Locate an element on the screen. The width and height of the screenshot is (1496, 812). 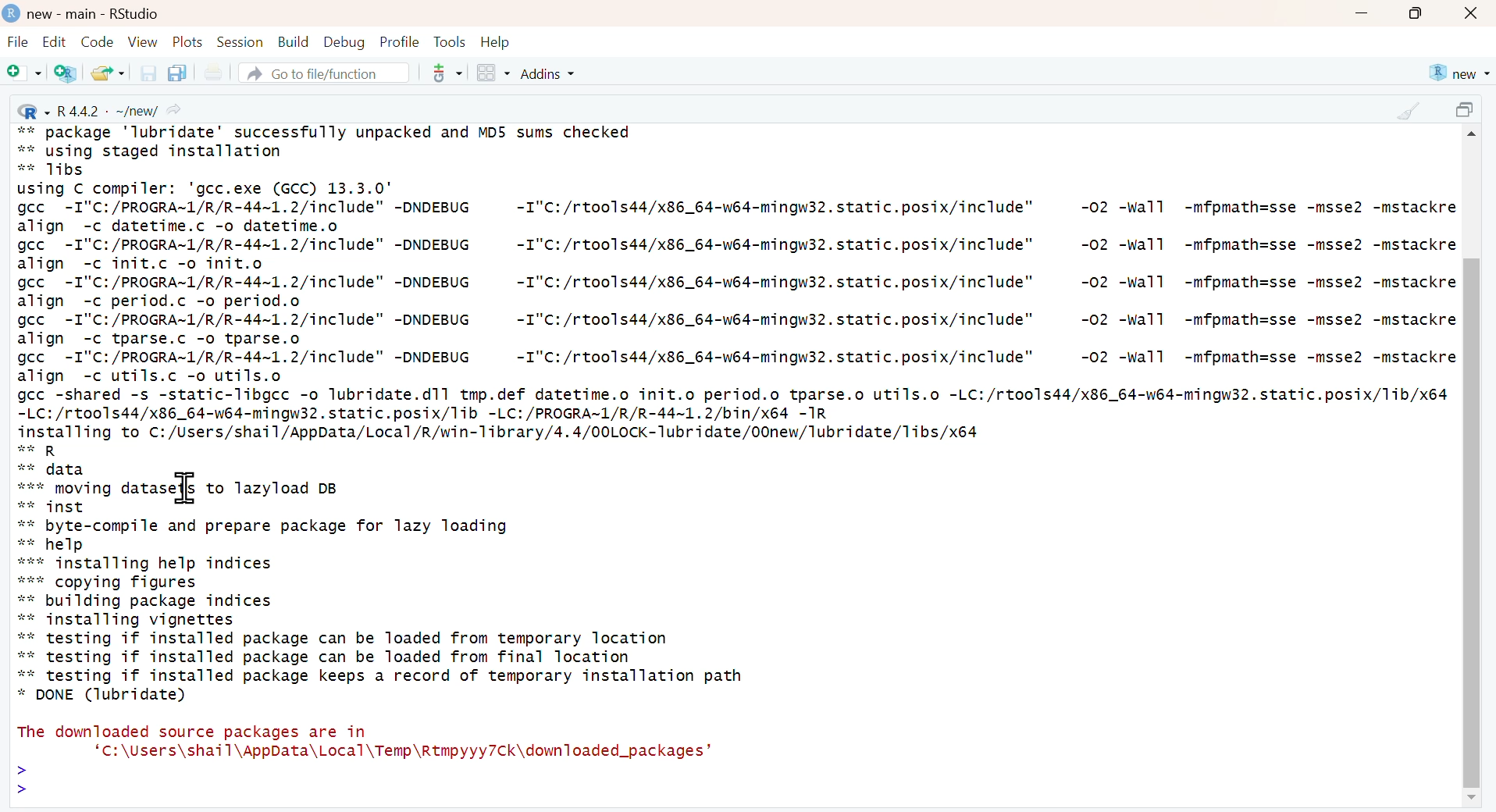
New file is located at coordinates (25, 74).